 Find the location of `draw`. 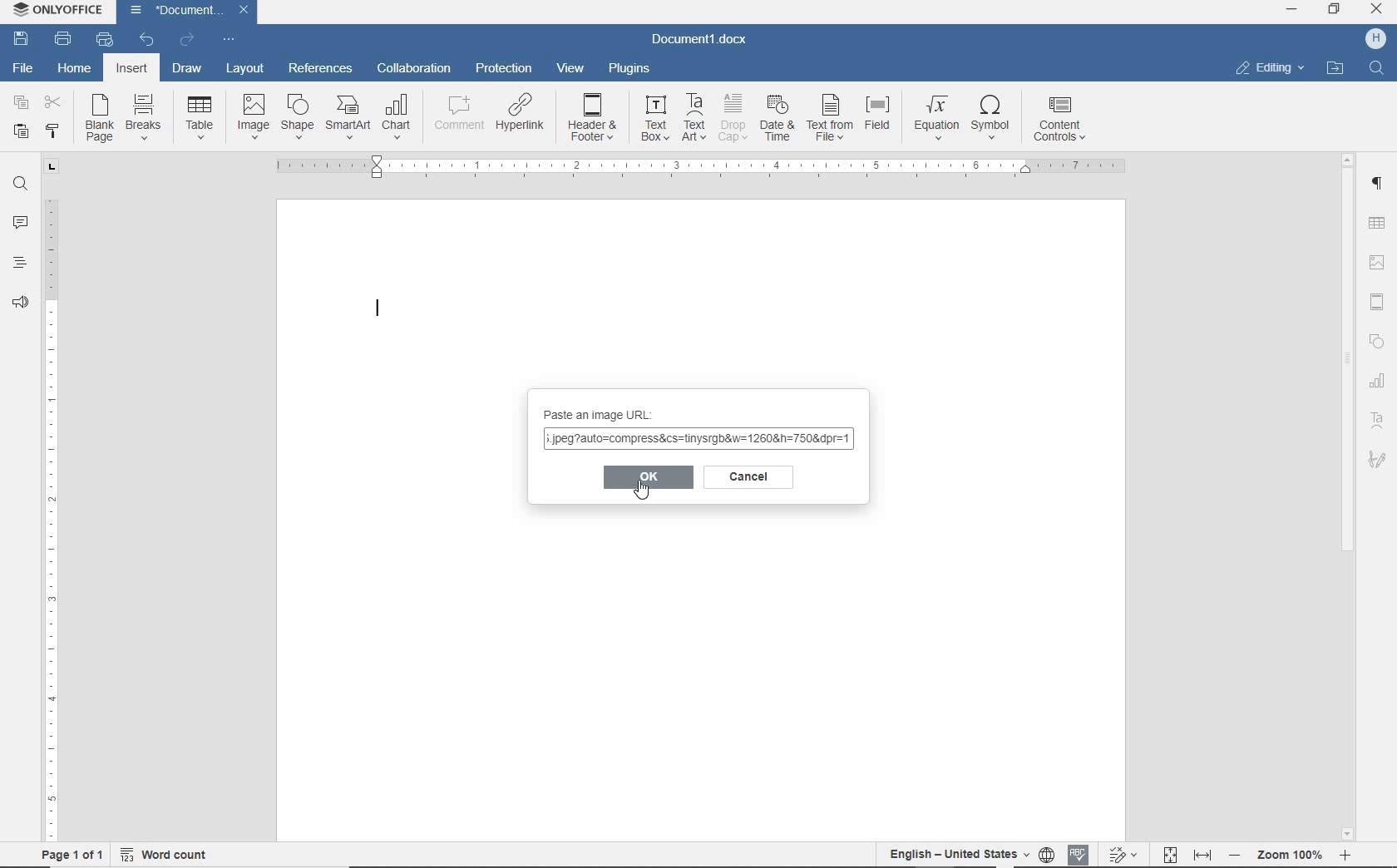

draw is located at coordinates (188, 69).